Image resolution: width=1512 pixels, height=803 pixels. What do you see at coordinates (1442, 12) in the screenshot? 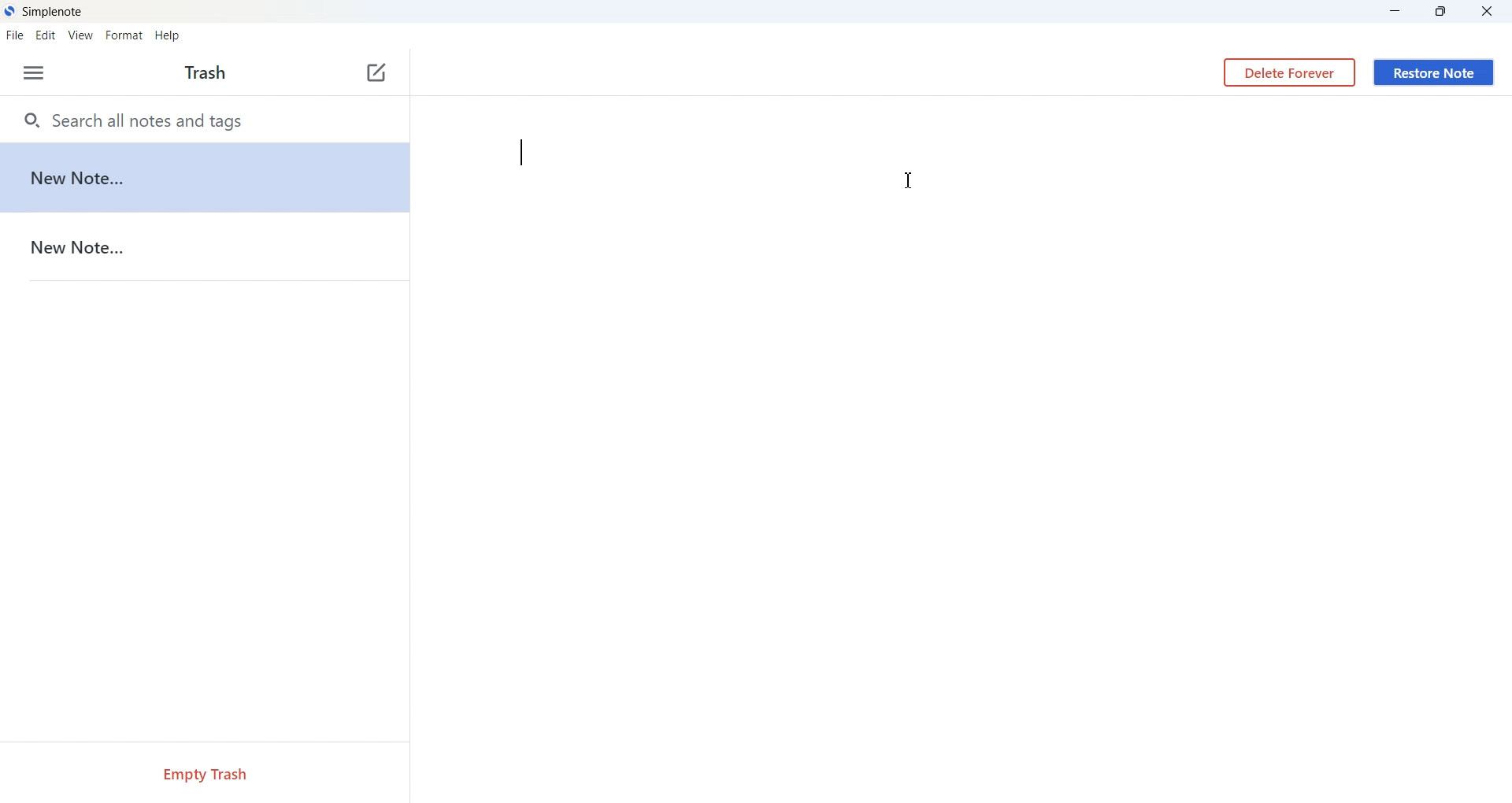
I see `Maximize` at bounding box center [1442, 12].